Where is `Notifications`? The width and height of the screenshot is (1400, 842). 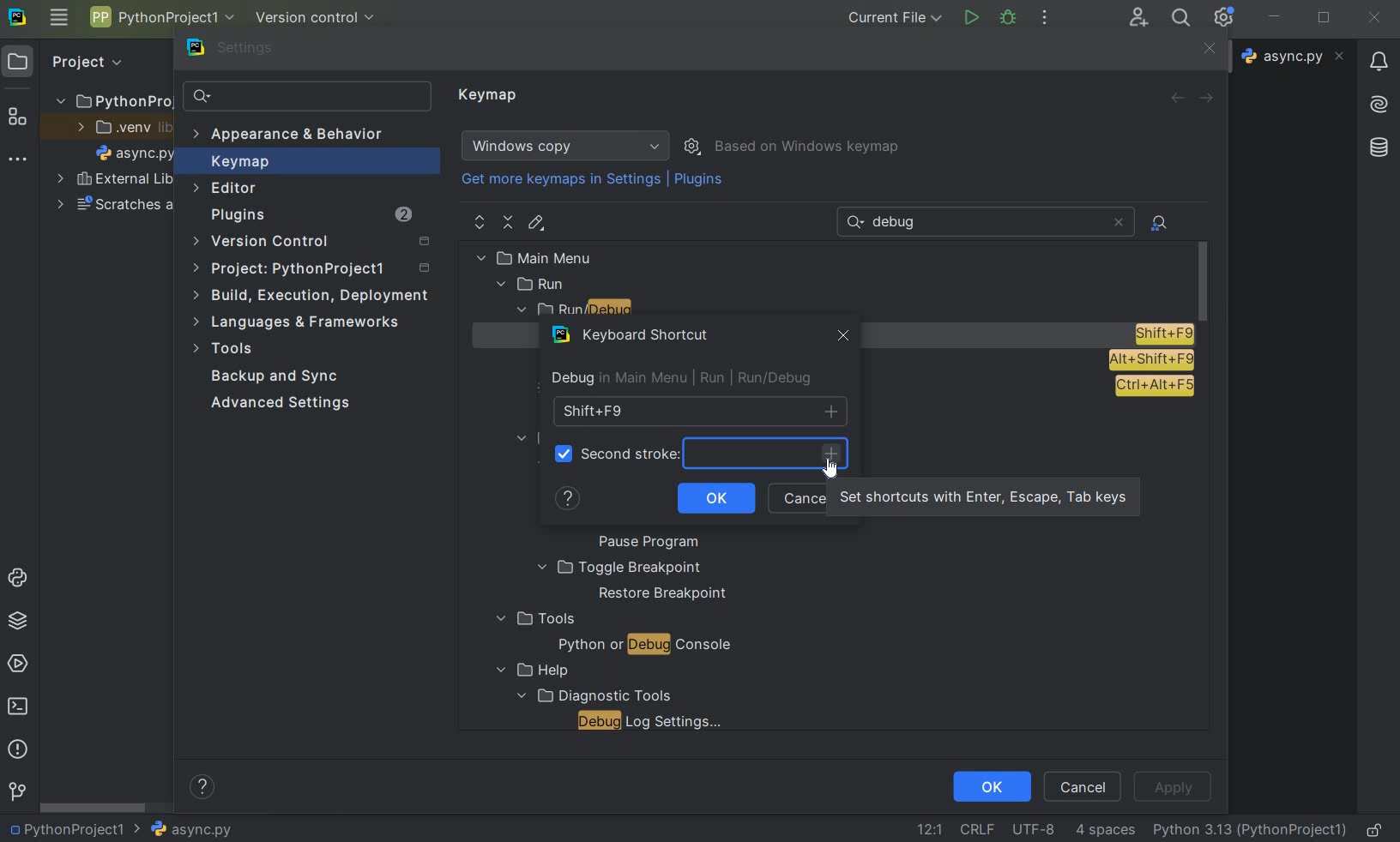
Notifications is located at coordinates (1377, 56).